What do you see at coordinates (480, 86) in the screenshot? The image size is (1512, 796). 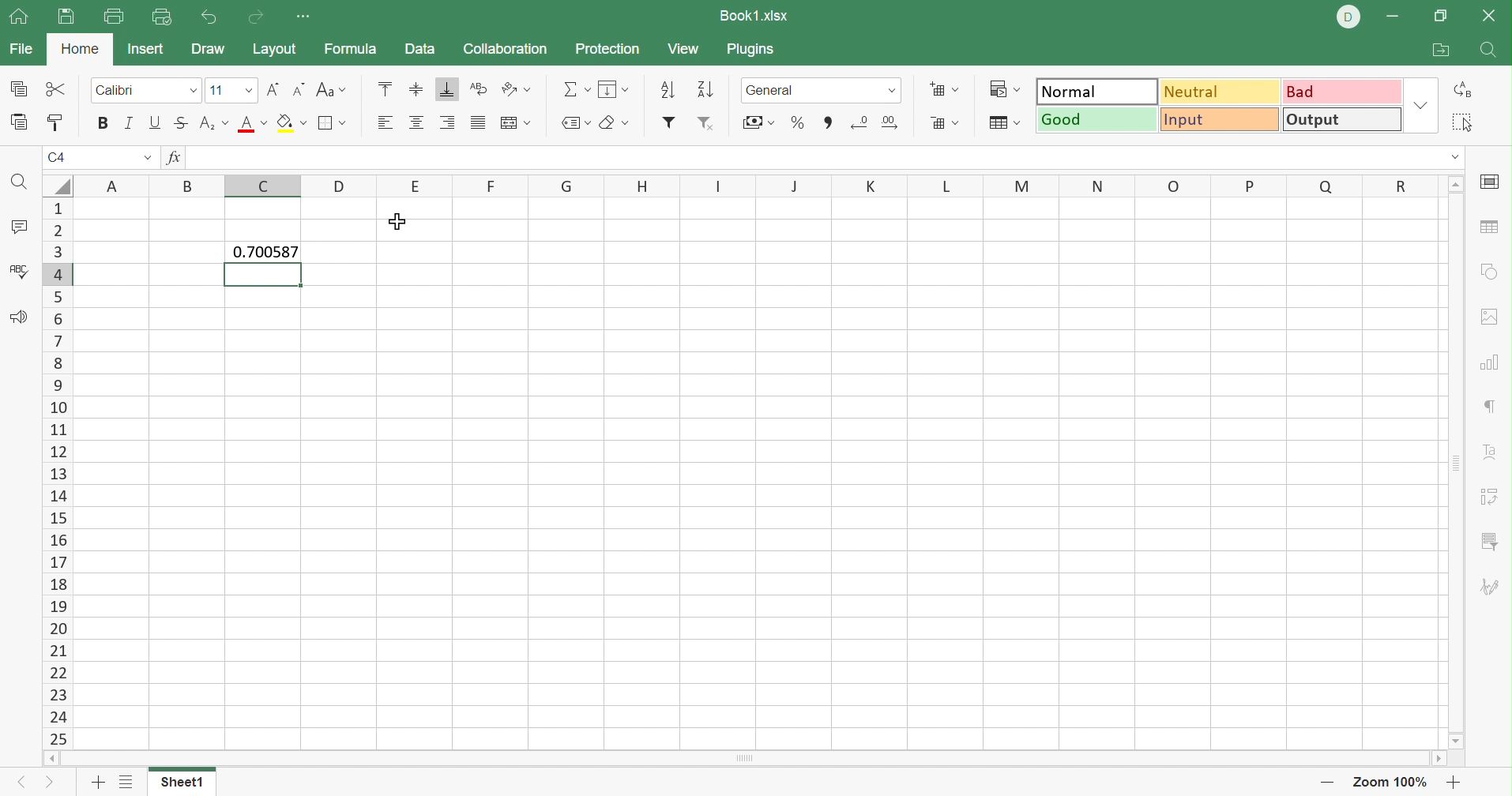 I see `Wrap text` at bounding box center [480, 86].